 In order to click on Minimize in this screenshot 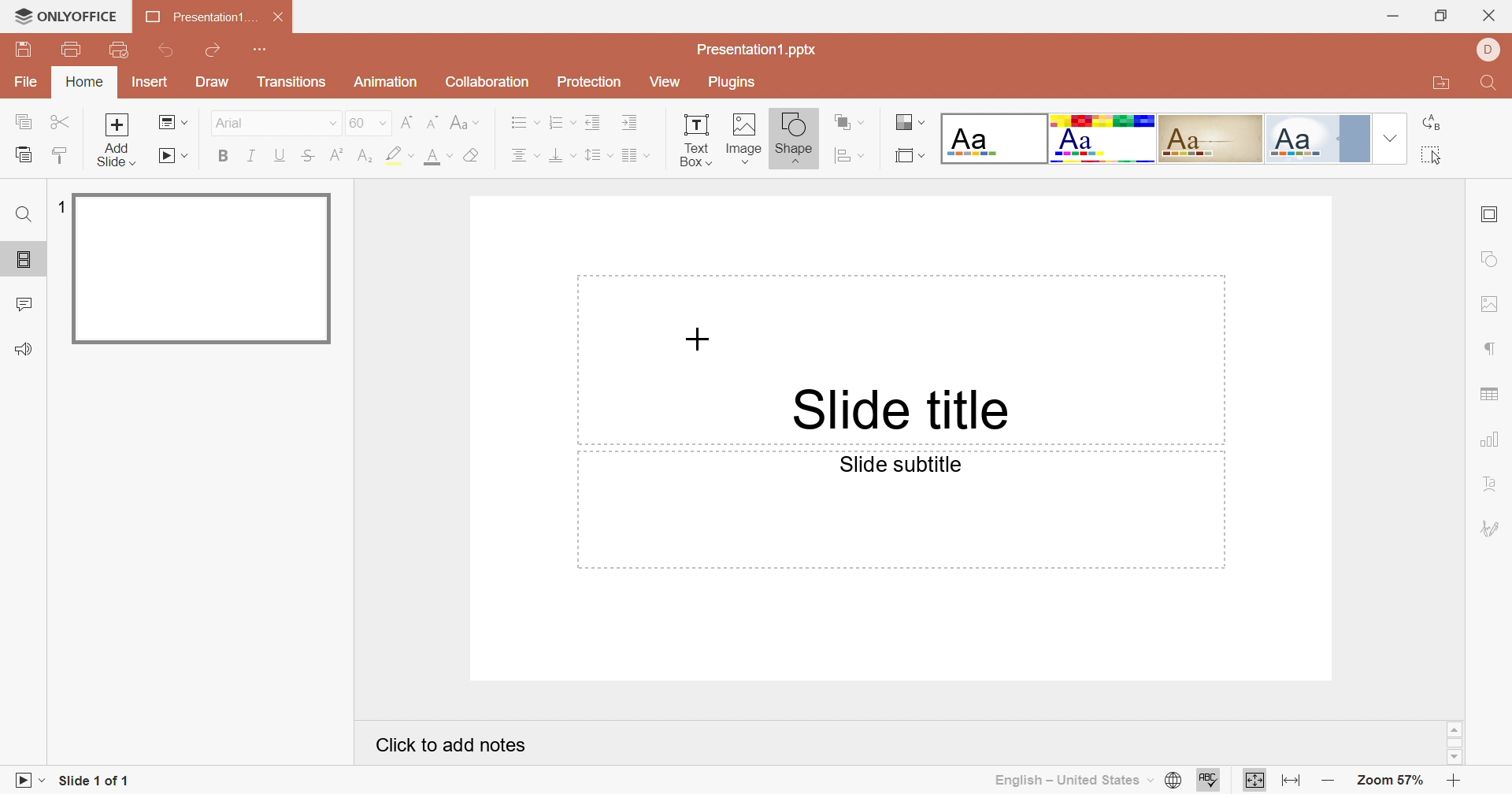, I will do `click(1395, 17)`.